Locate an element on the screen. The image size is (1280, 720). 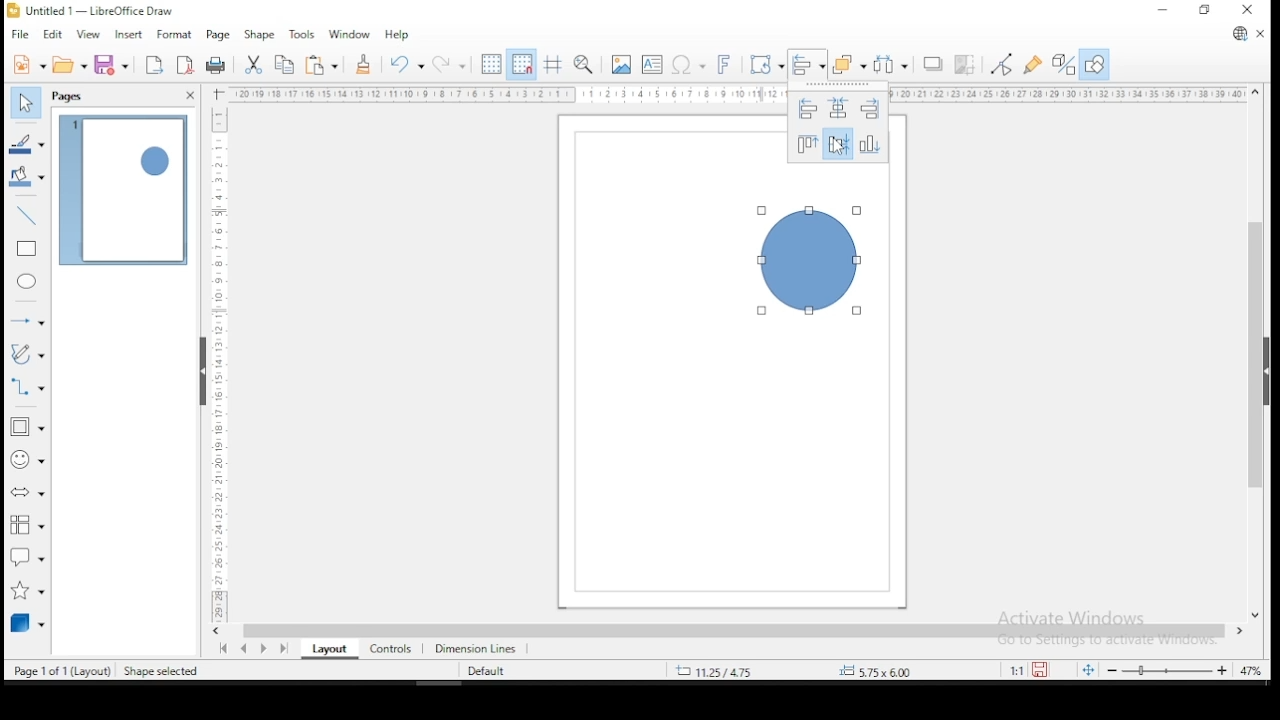
untitled 1 - LibreOffice Draw is located at coordinates (90, 10).